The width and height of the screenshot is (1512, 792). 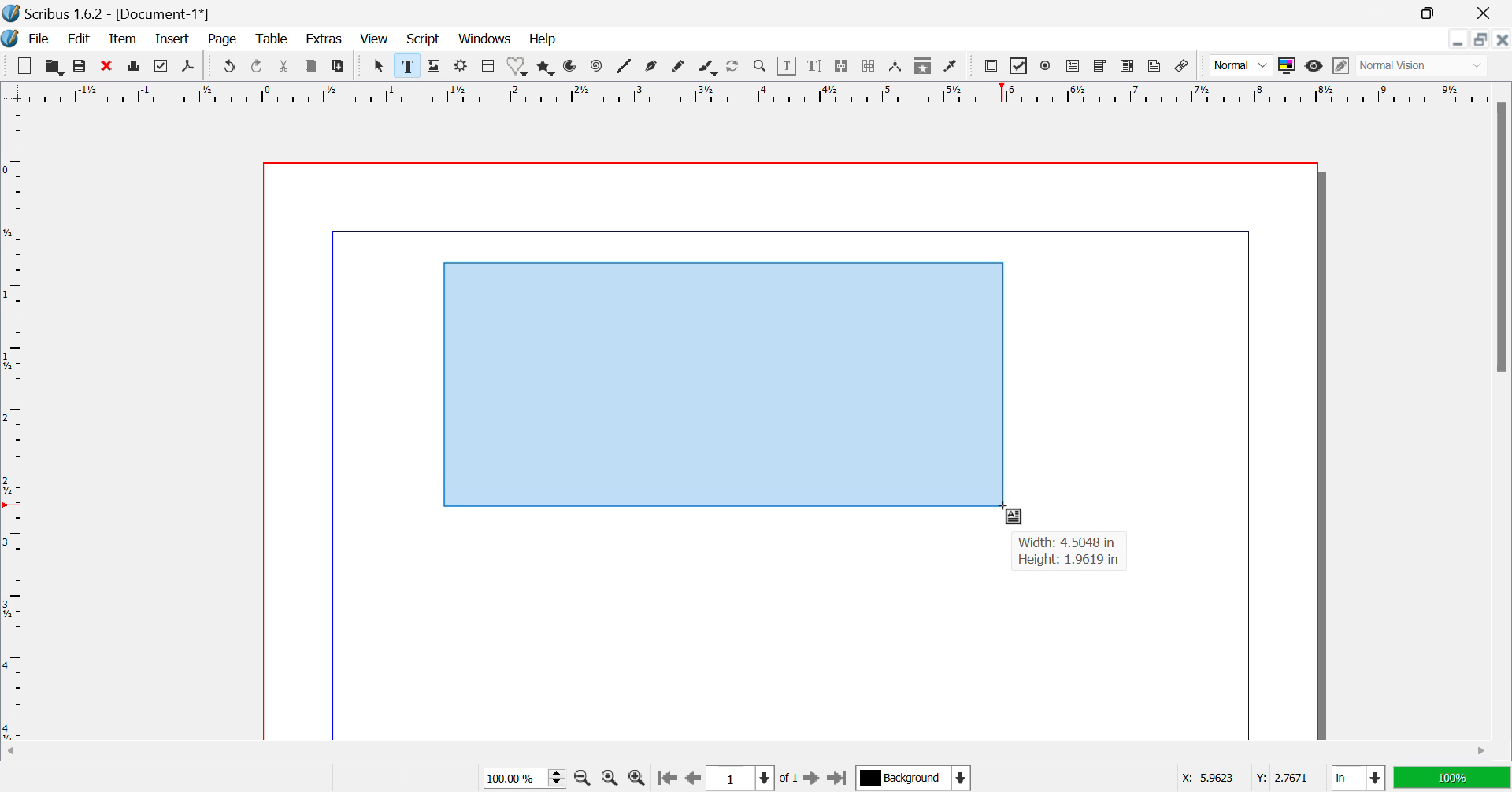 I want to click on Refresh, so click(x=736, y=68).